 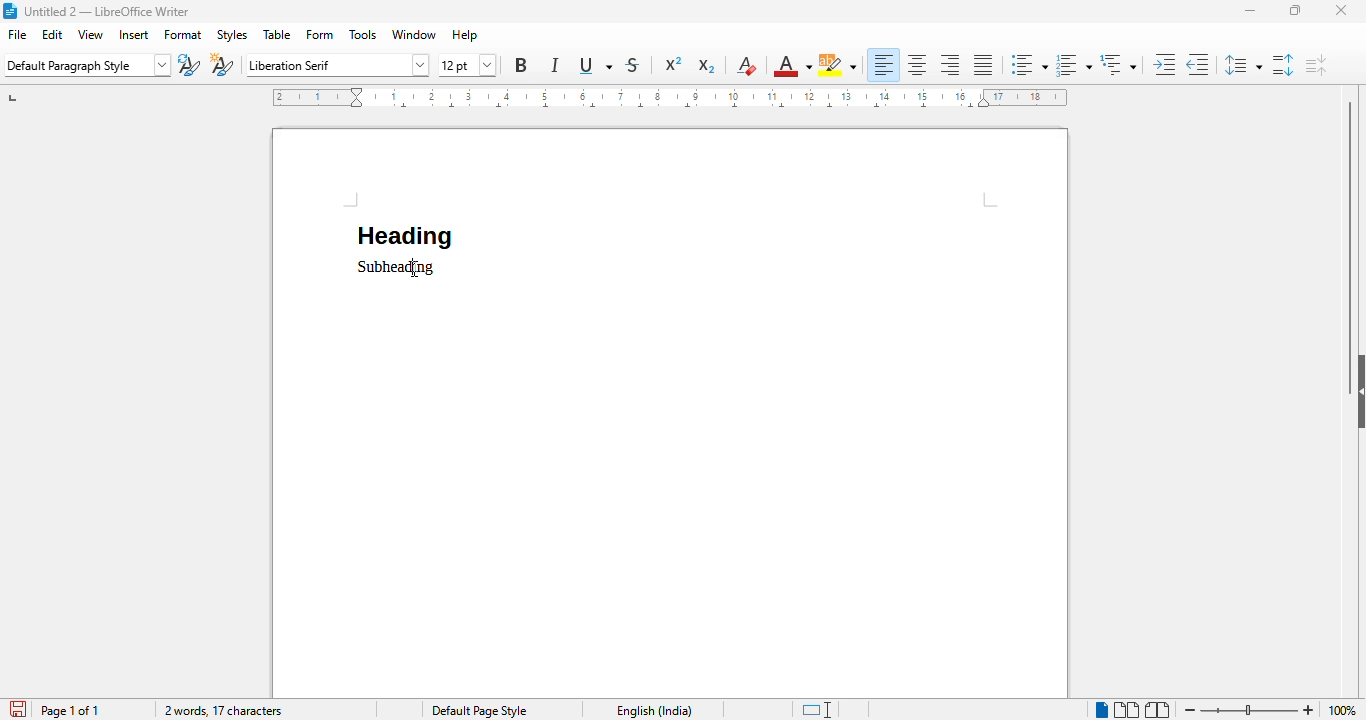 I want to click on character highlighting color, so click(x=837, y=65).